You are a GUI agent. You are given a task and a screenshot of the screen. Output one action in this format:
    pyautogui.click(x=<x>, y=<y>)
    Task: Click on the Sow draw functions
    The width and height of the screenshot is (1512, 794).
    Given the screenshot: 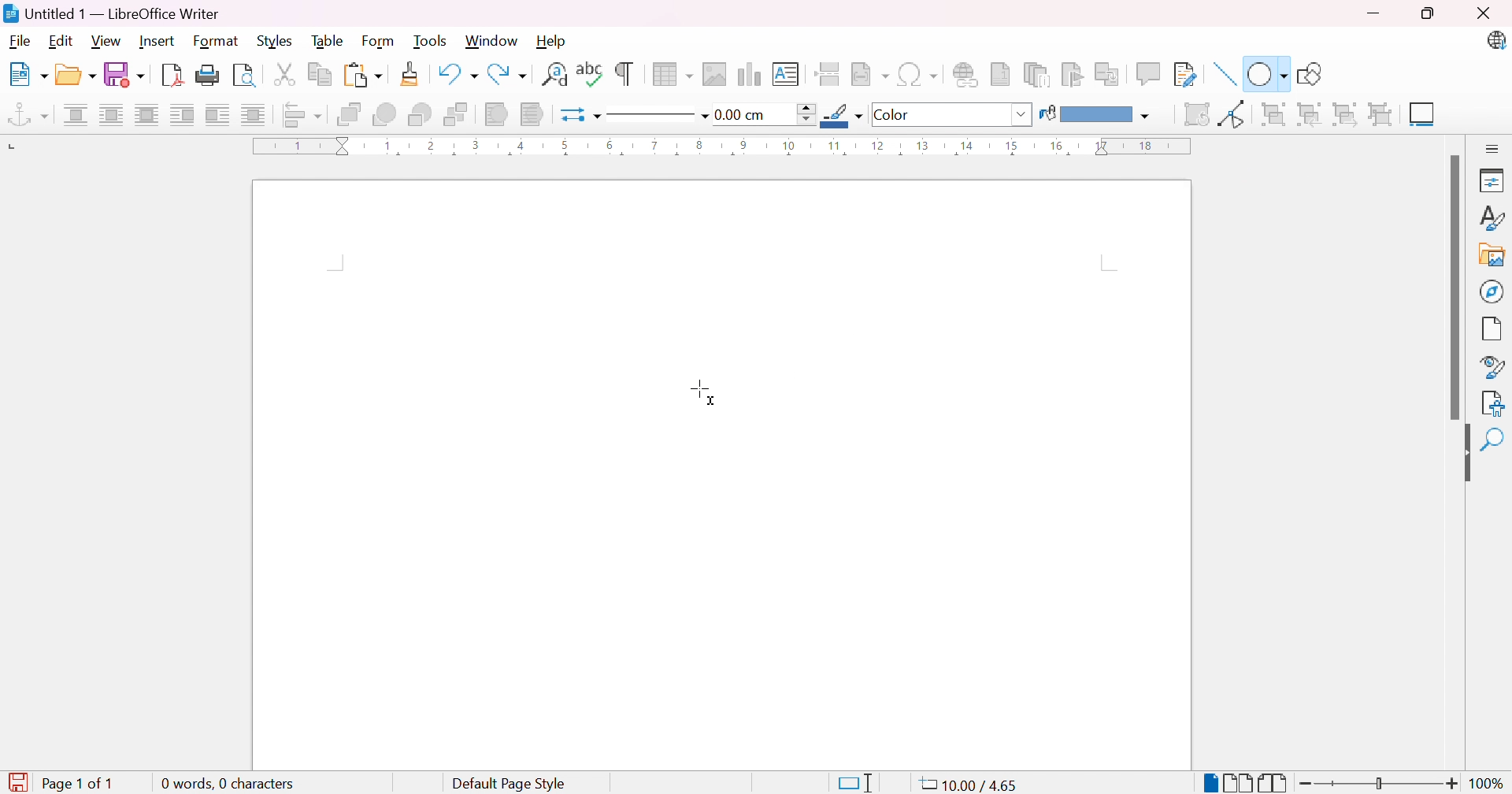 What is the action you would take?
    pyautogui.click(x=1314, y=71)
    